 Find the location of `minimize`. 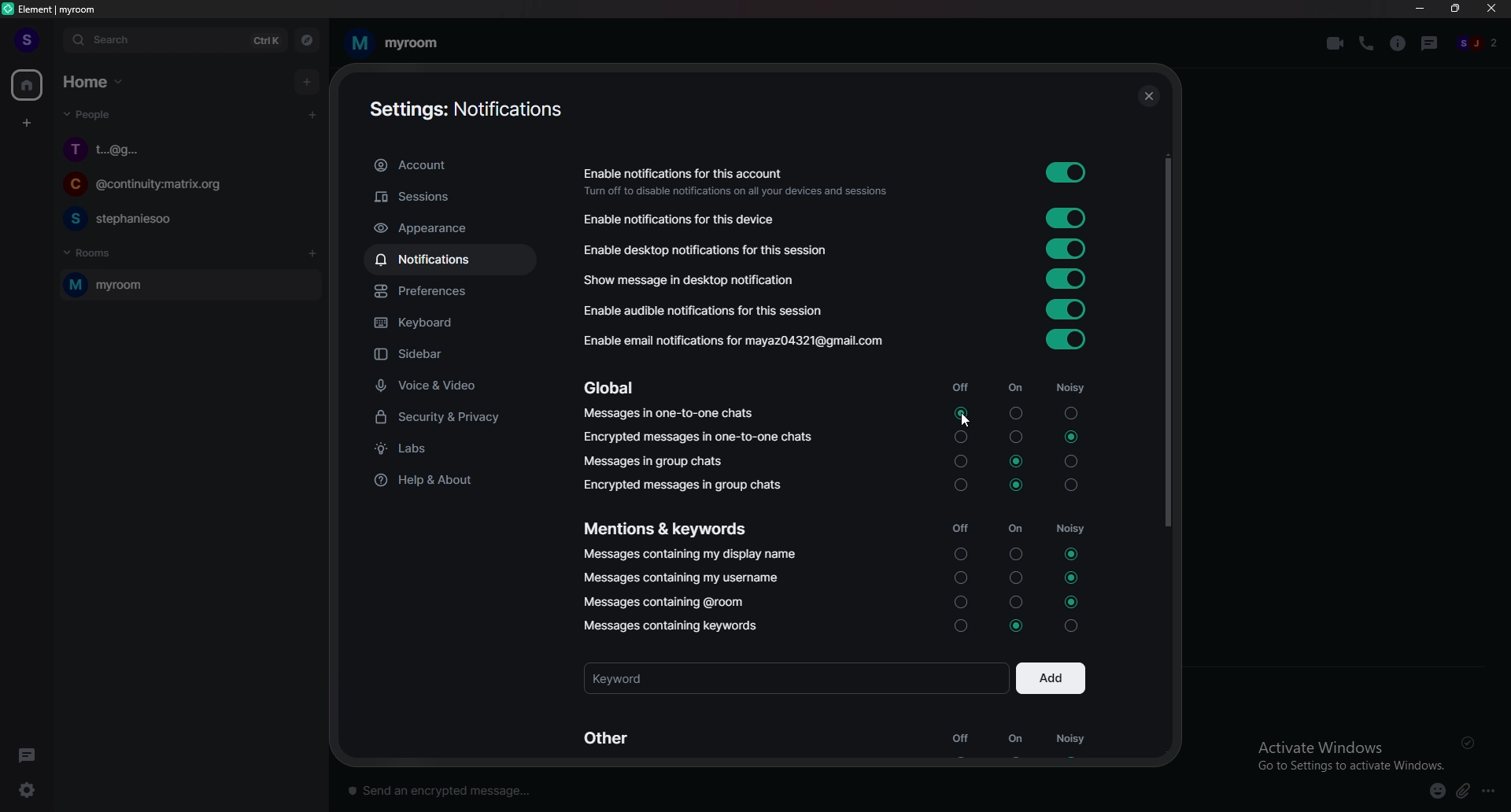

minimize is located at coordinates (1421, 9).